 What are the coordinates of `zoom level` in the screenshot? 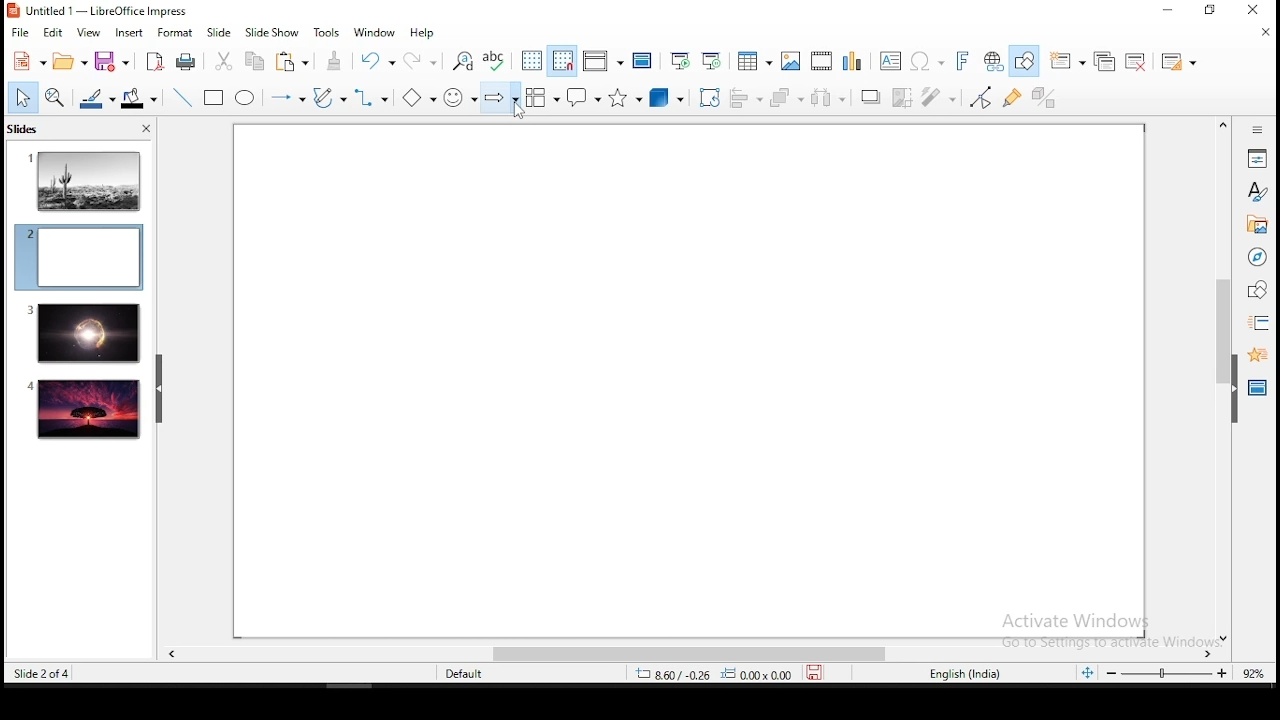 It's located at (1254, 672).